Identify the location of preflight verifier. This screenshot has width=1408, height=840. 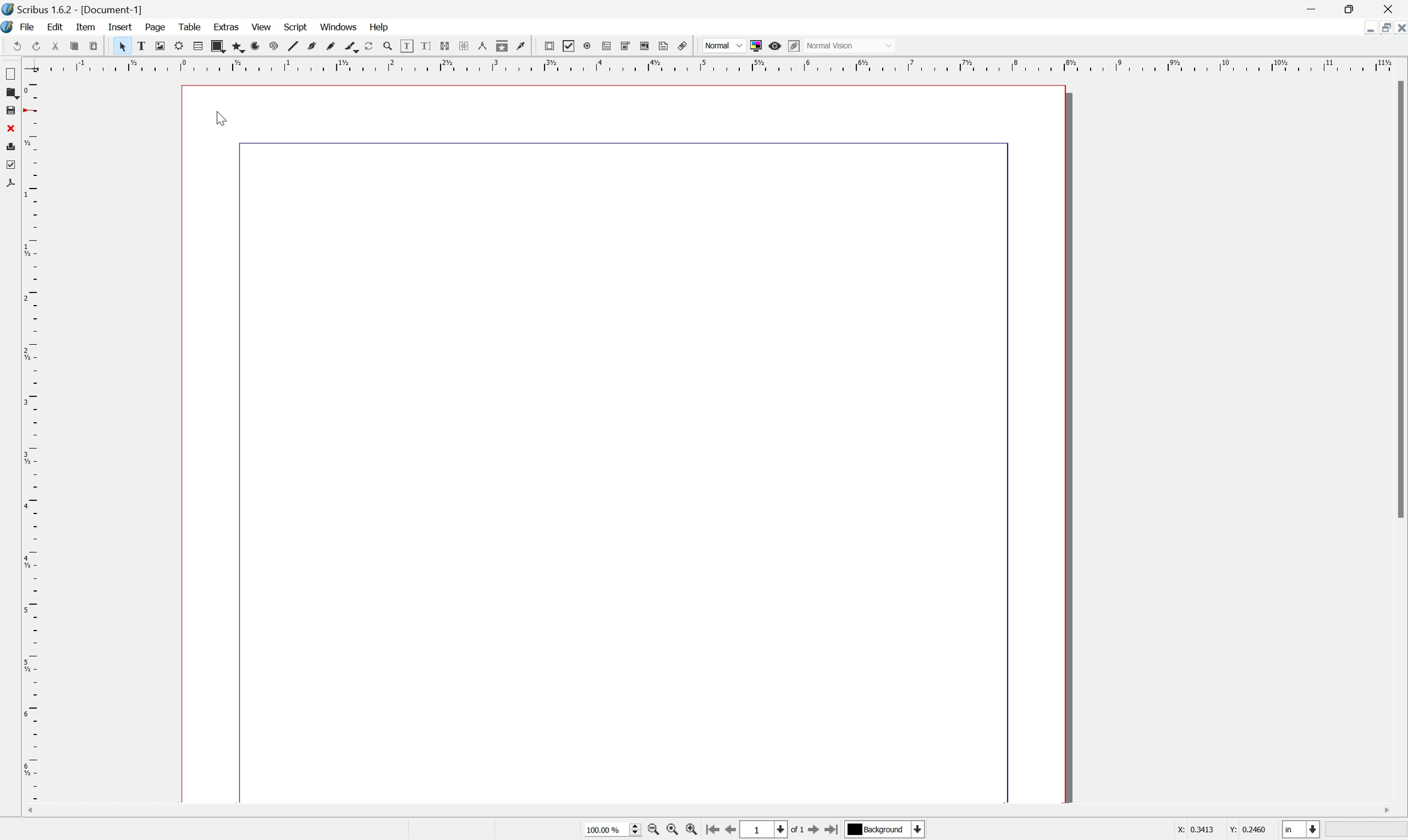
(13, 165).